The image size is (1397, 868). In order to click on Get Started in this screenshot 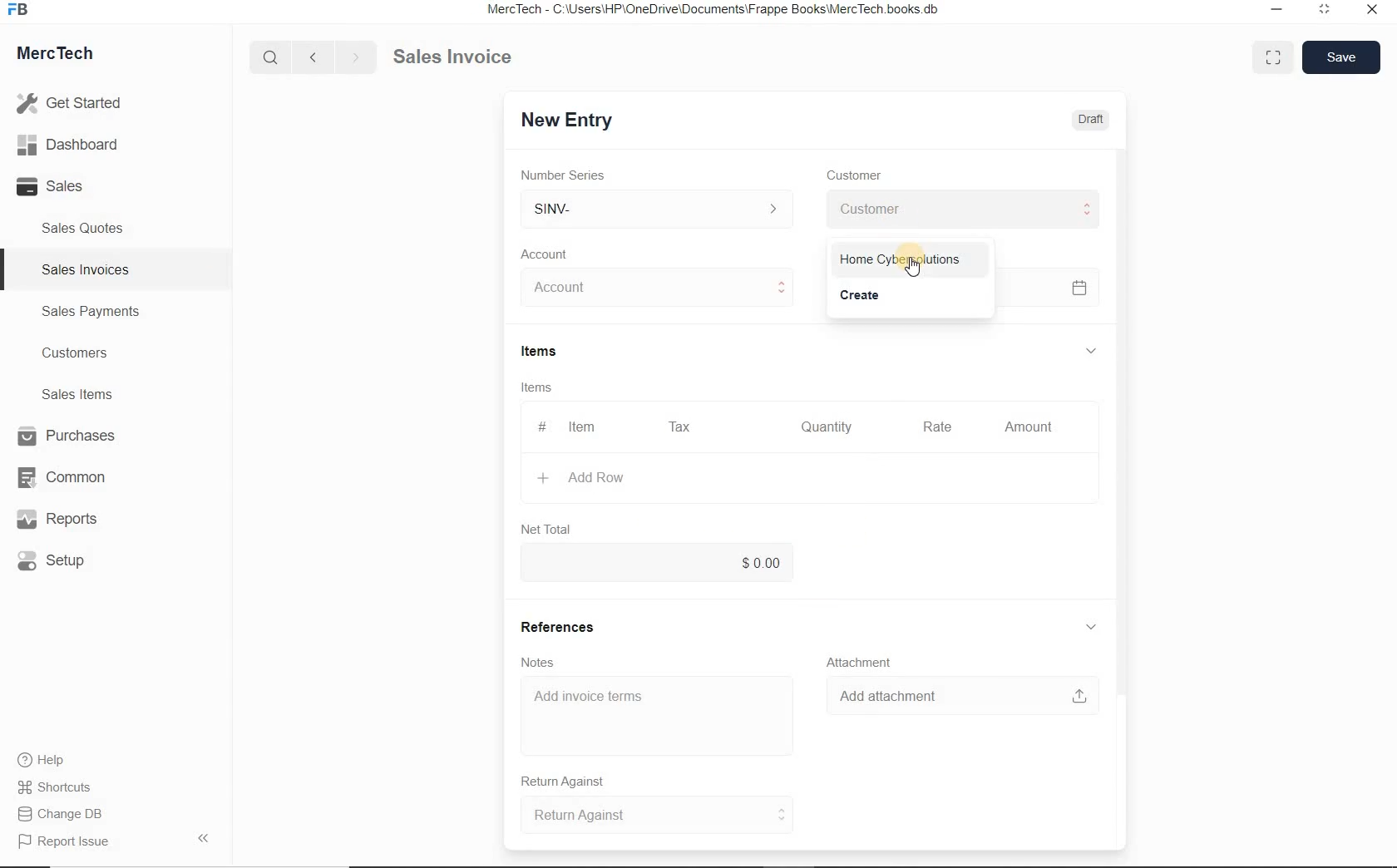, I will do `click(75, 103)`.